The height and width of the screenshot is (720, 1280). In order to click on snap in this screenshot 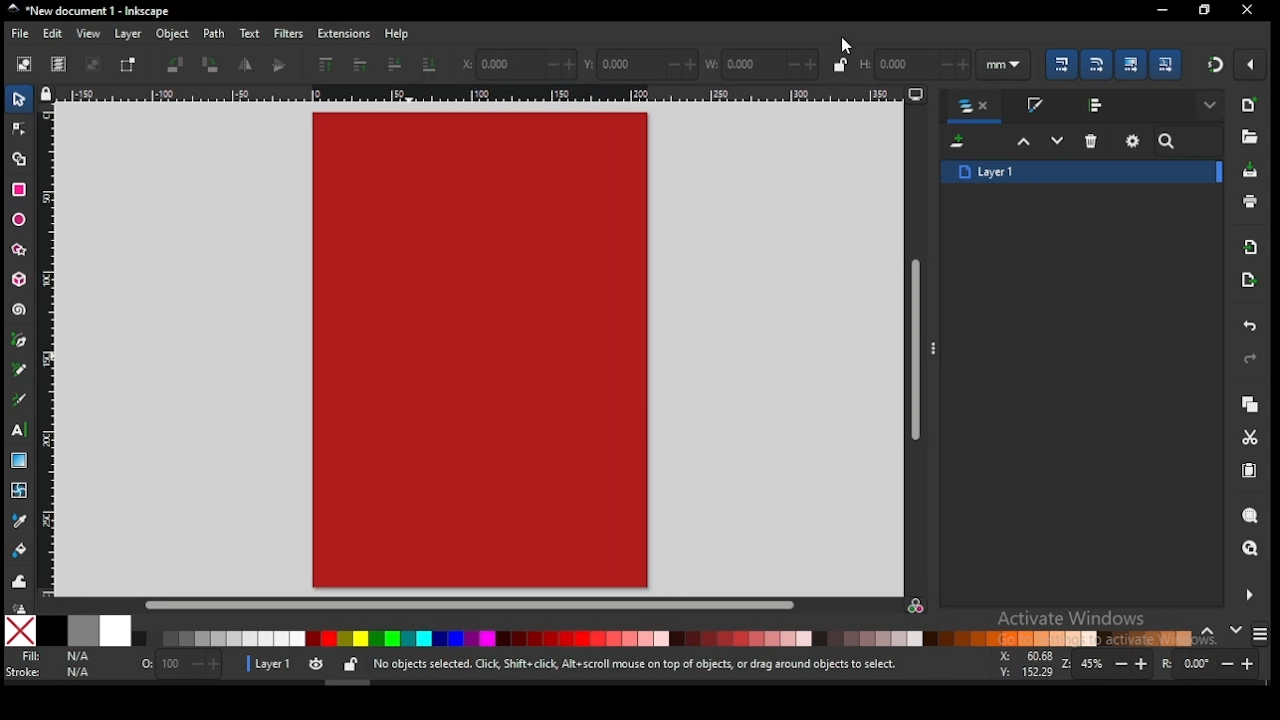, I will do `click(1216, 64)`.